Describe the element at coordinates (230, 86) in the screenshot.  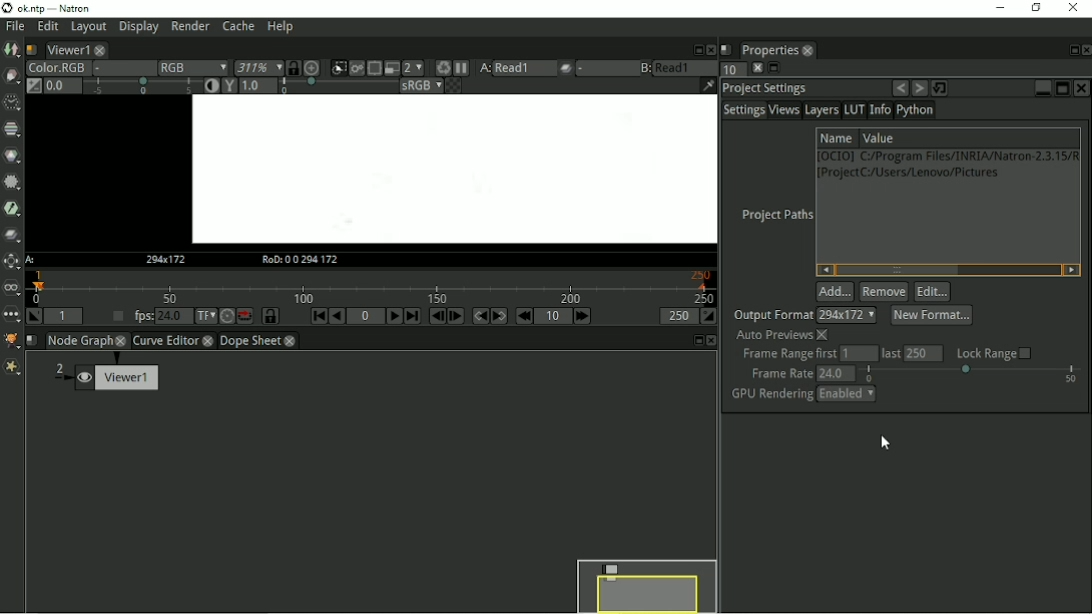
I see `Gamma correction` at that location.